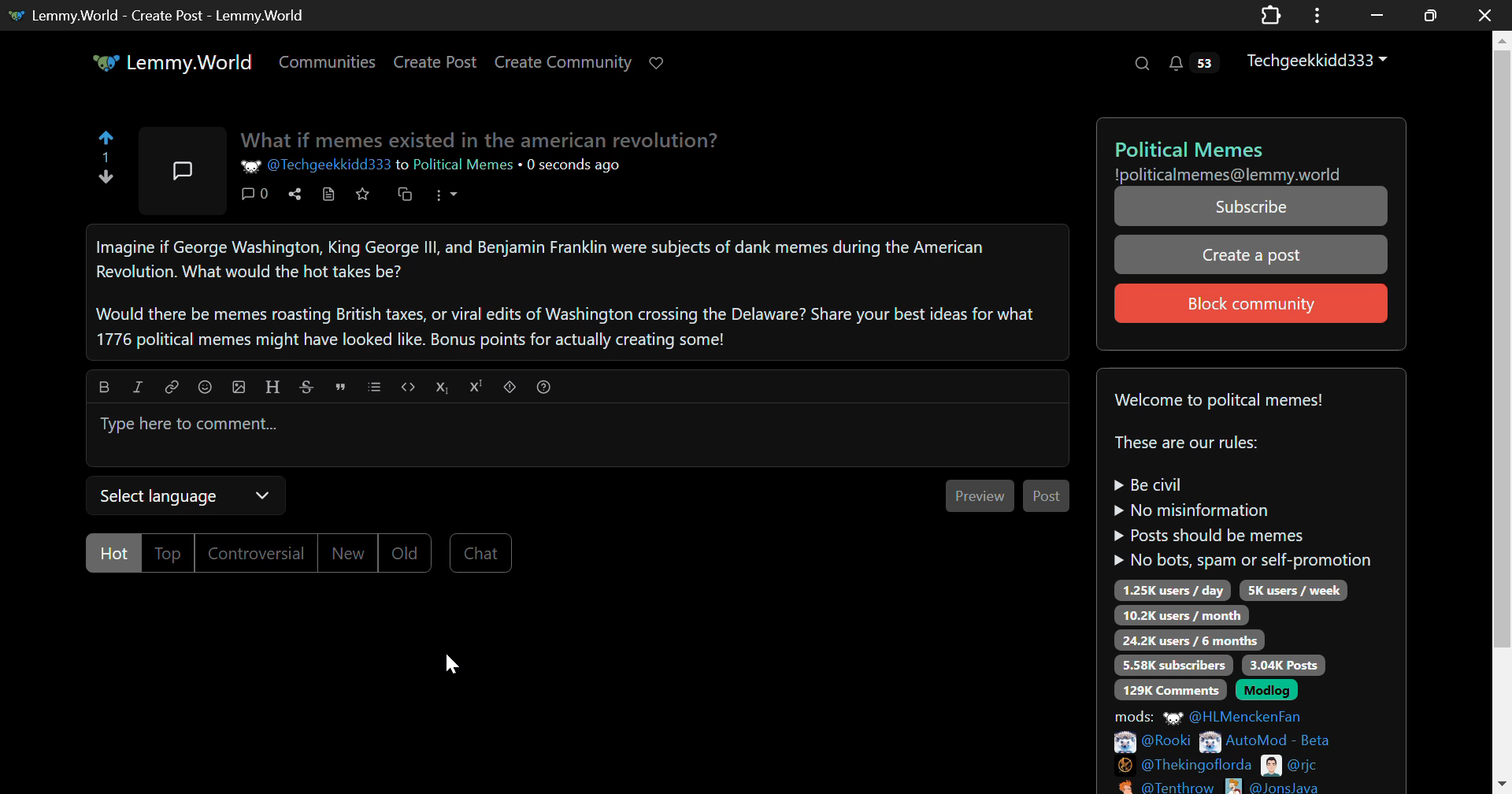 Image resolution: width=1512 pixels, height=794 pixels. I want to click on Political Memes, so click(1243, 148).